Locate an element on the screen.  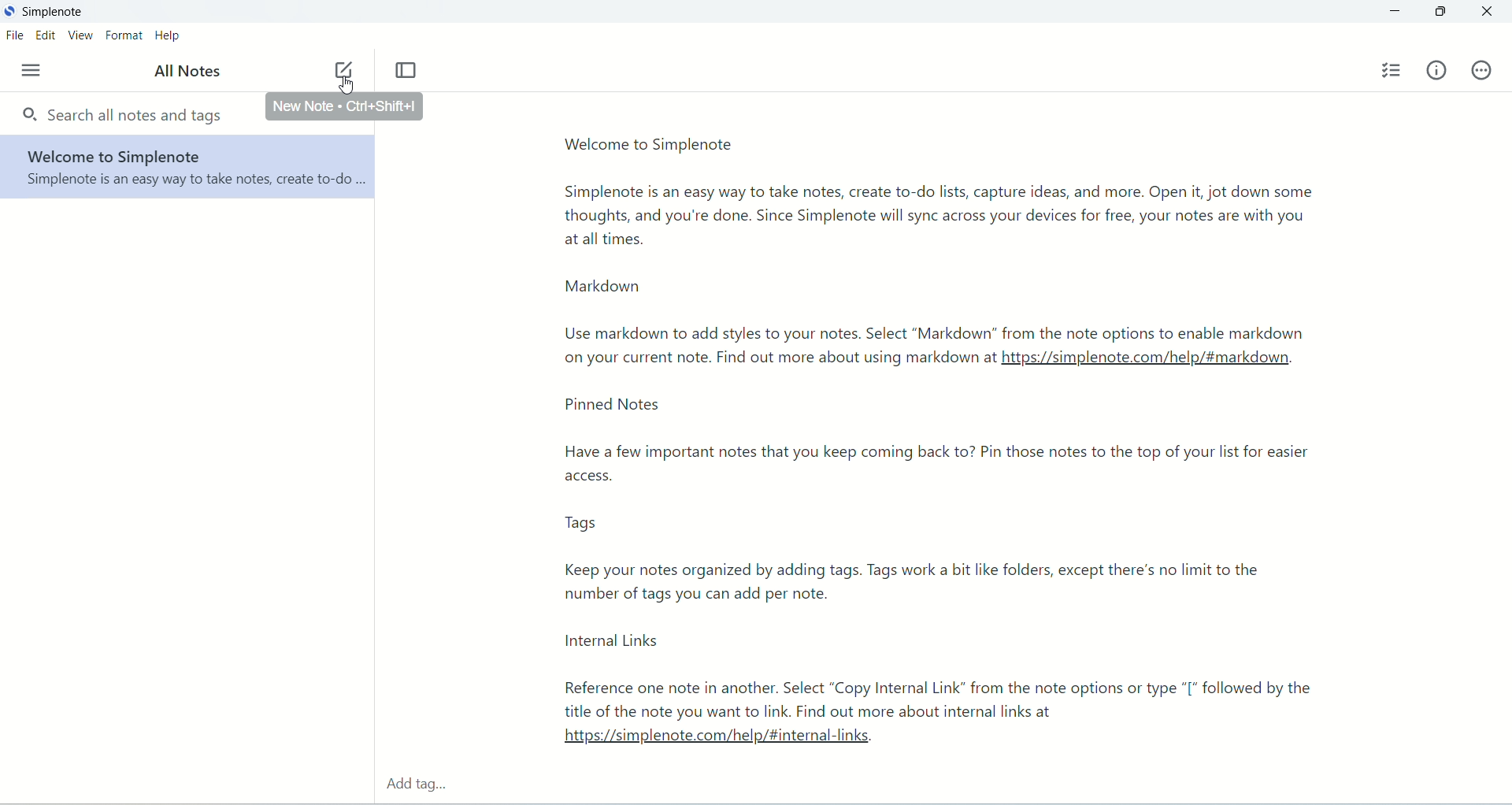
actions is located at coordinates (1482, 69).